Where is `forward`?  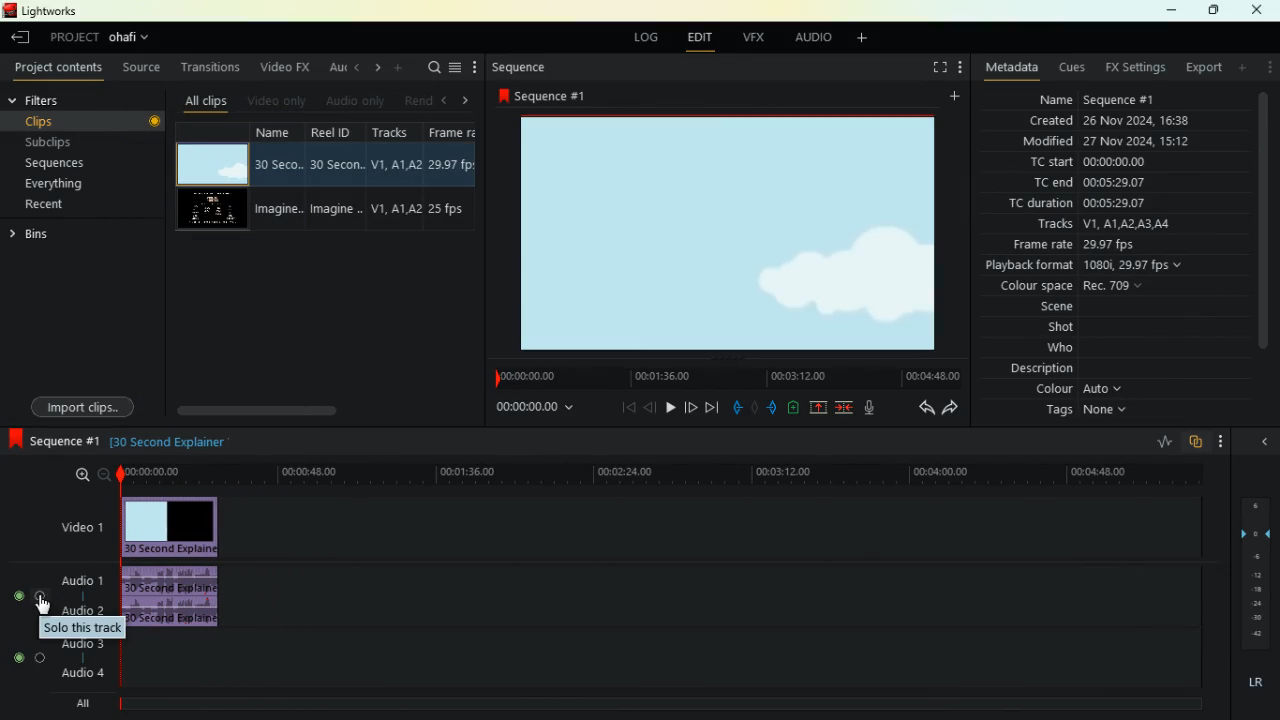 forward is located at coordinates (953, 408).